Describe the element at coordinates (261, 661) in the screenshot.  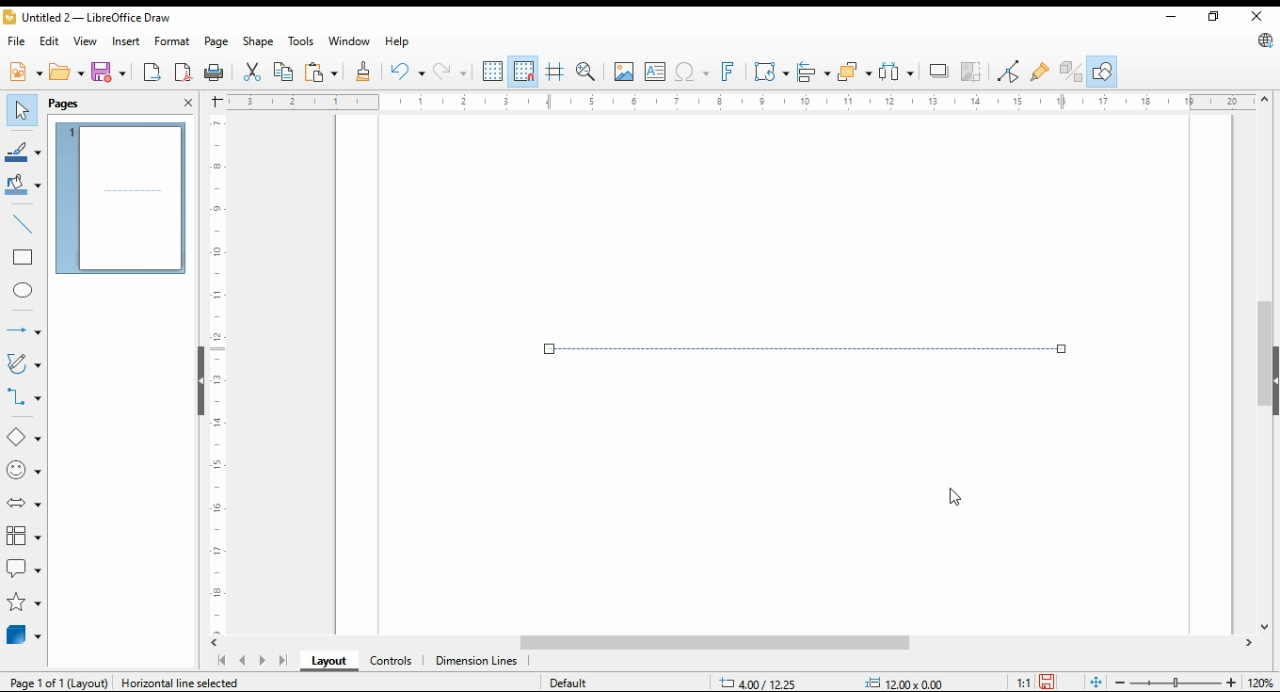
I see `next page` at that location.